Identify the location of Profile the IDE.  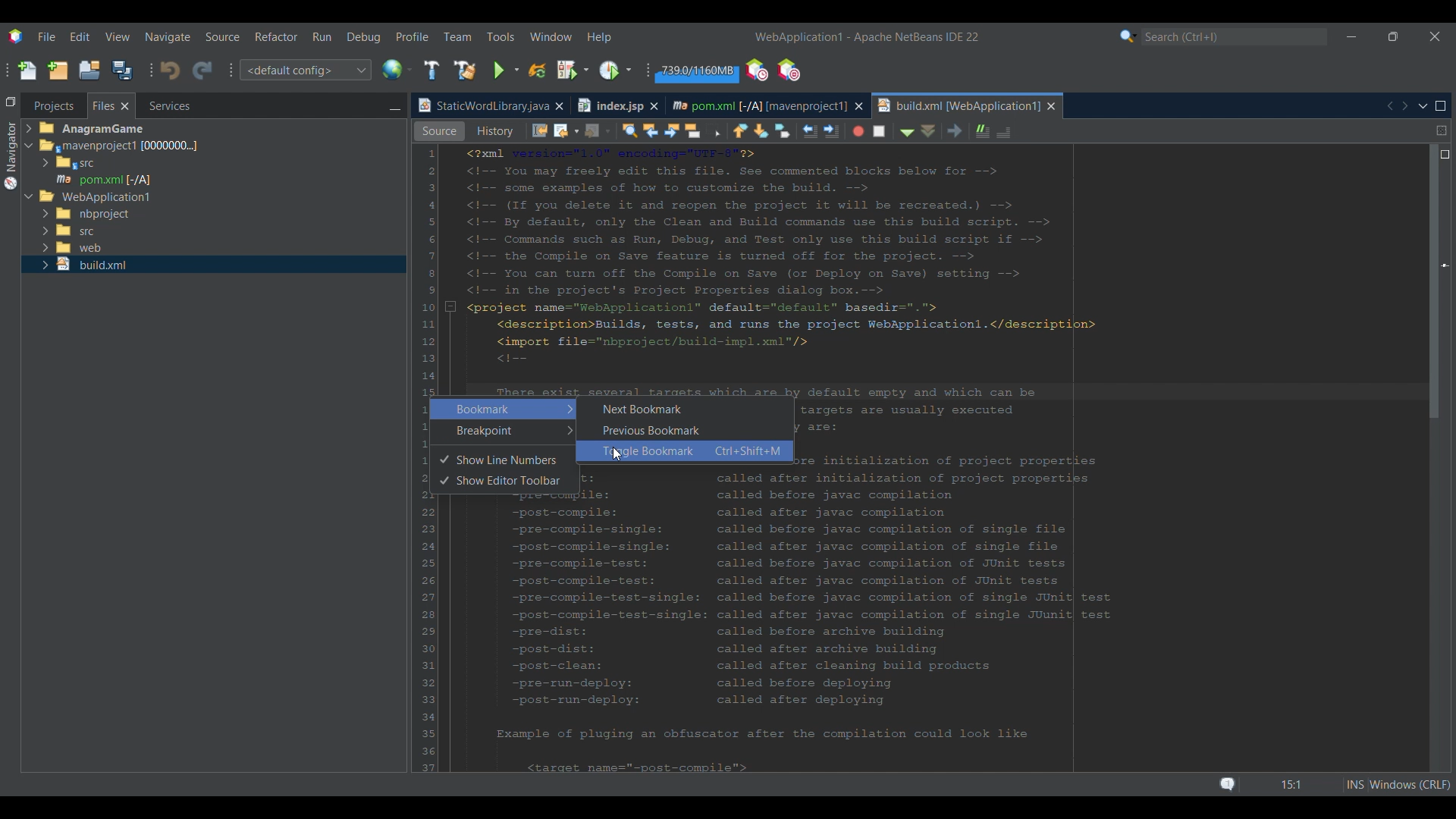
(758, 71).